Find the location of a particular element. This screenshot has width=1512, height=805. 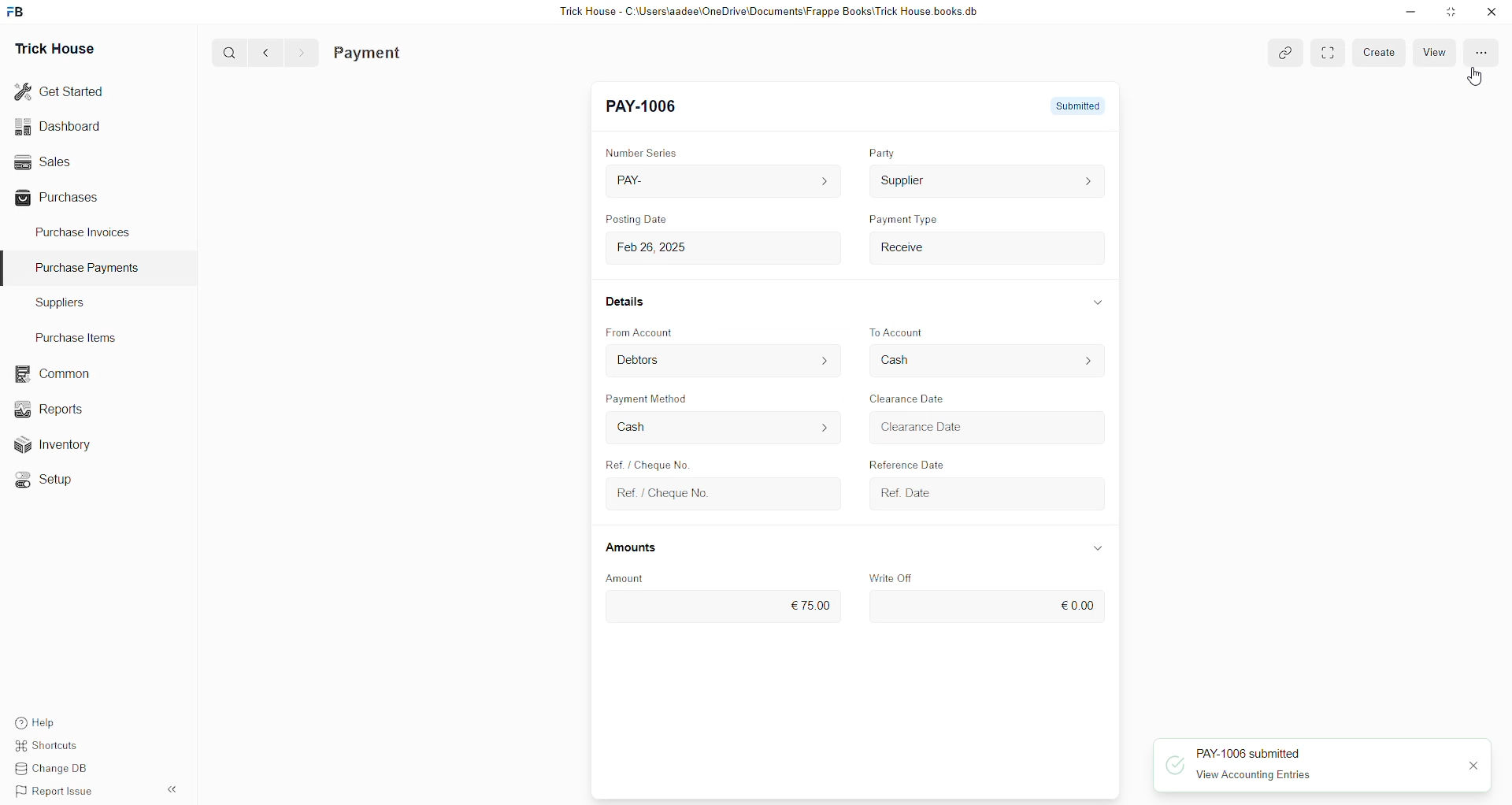

cursor is located at coordinates (1473, 79).